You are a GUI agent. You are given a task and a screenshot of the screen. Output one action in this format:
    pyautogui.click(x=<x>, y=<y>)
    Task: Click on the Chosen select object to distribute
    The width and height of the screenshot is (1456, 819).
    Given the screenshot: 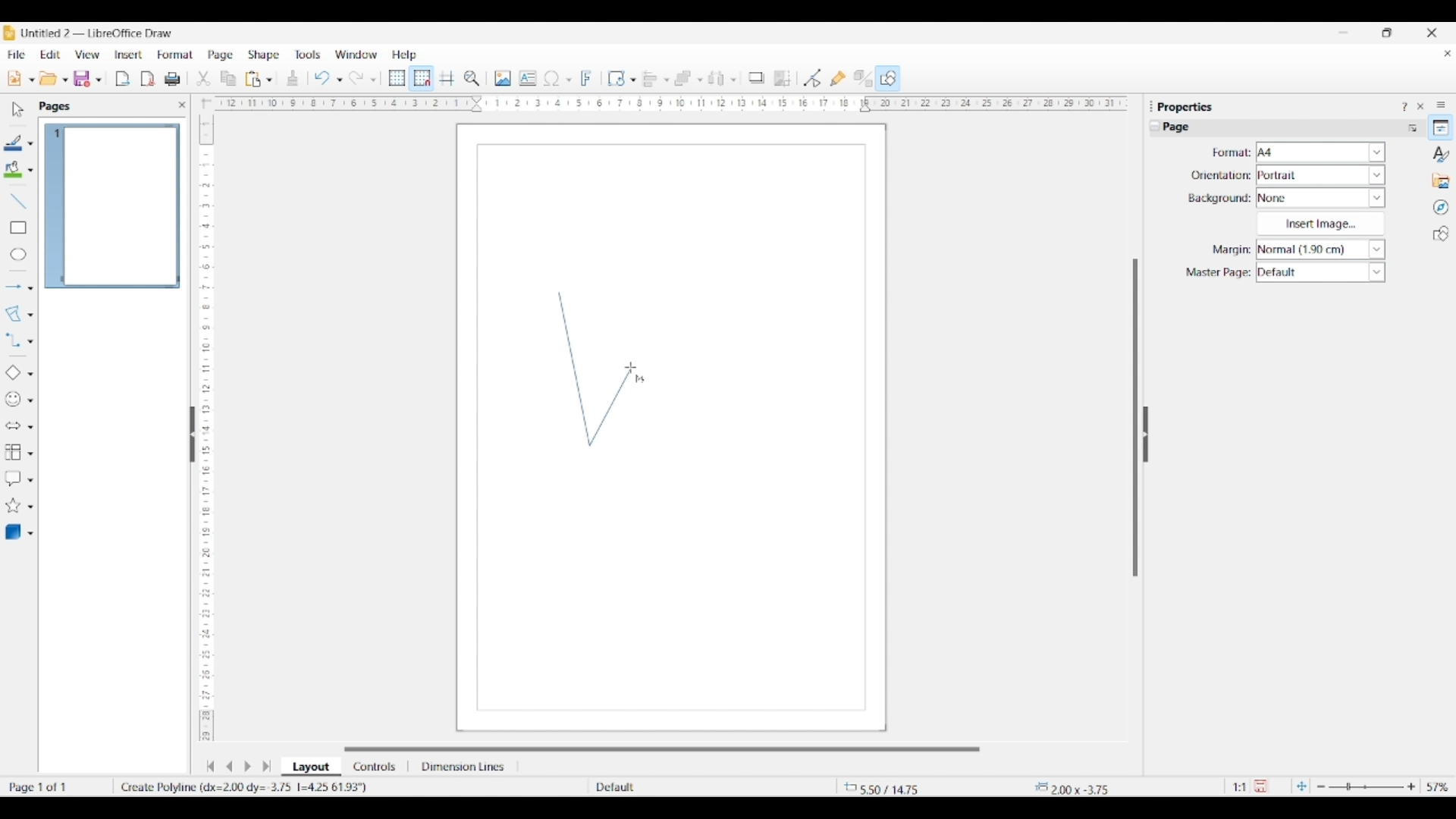 What is the action you would take?
    pyautogui.click(x=717, y=78)
    